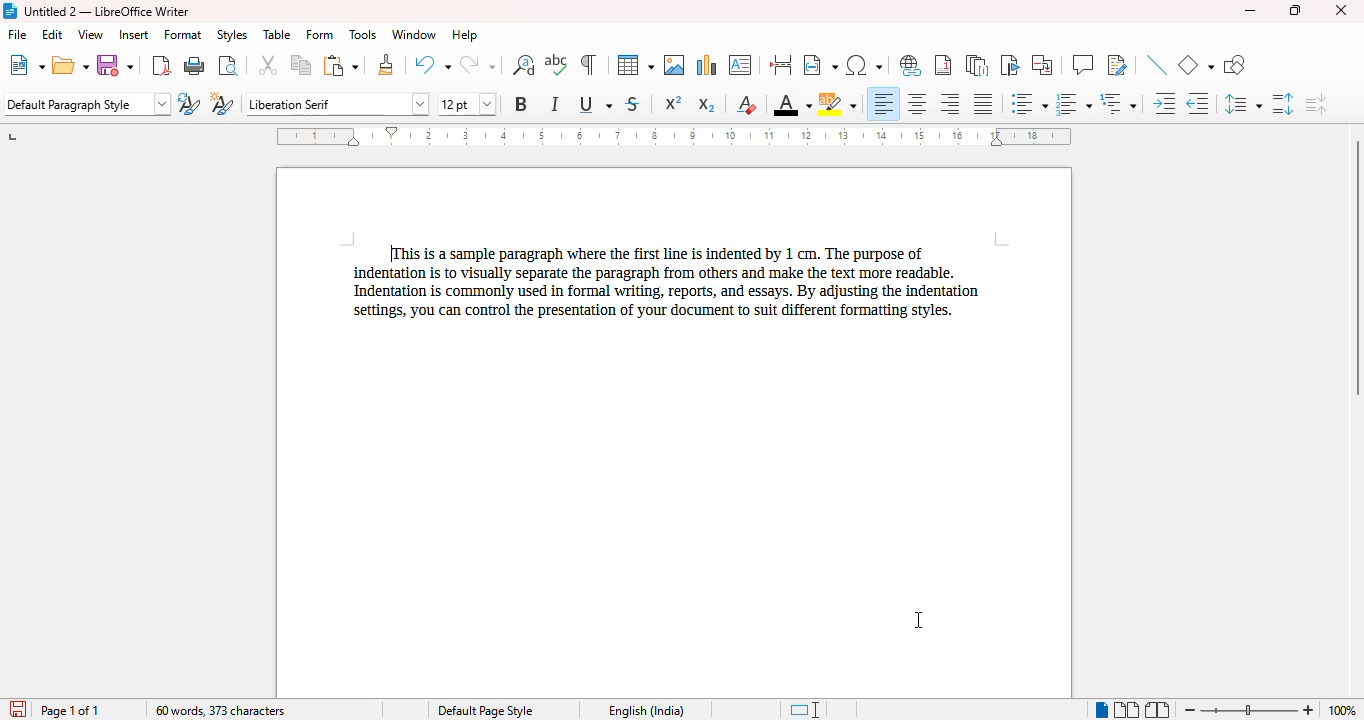  What do you see at coordinates (1243, 104) in the screenshot?
I see `set line spacing` at bounding box center [1243, 104].